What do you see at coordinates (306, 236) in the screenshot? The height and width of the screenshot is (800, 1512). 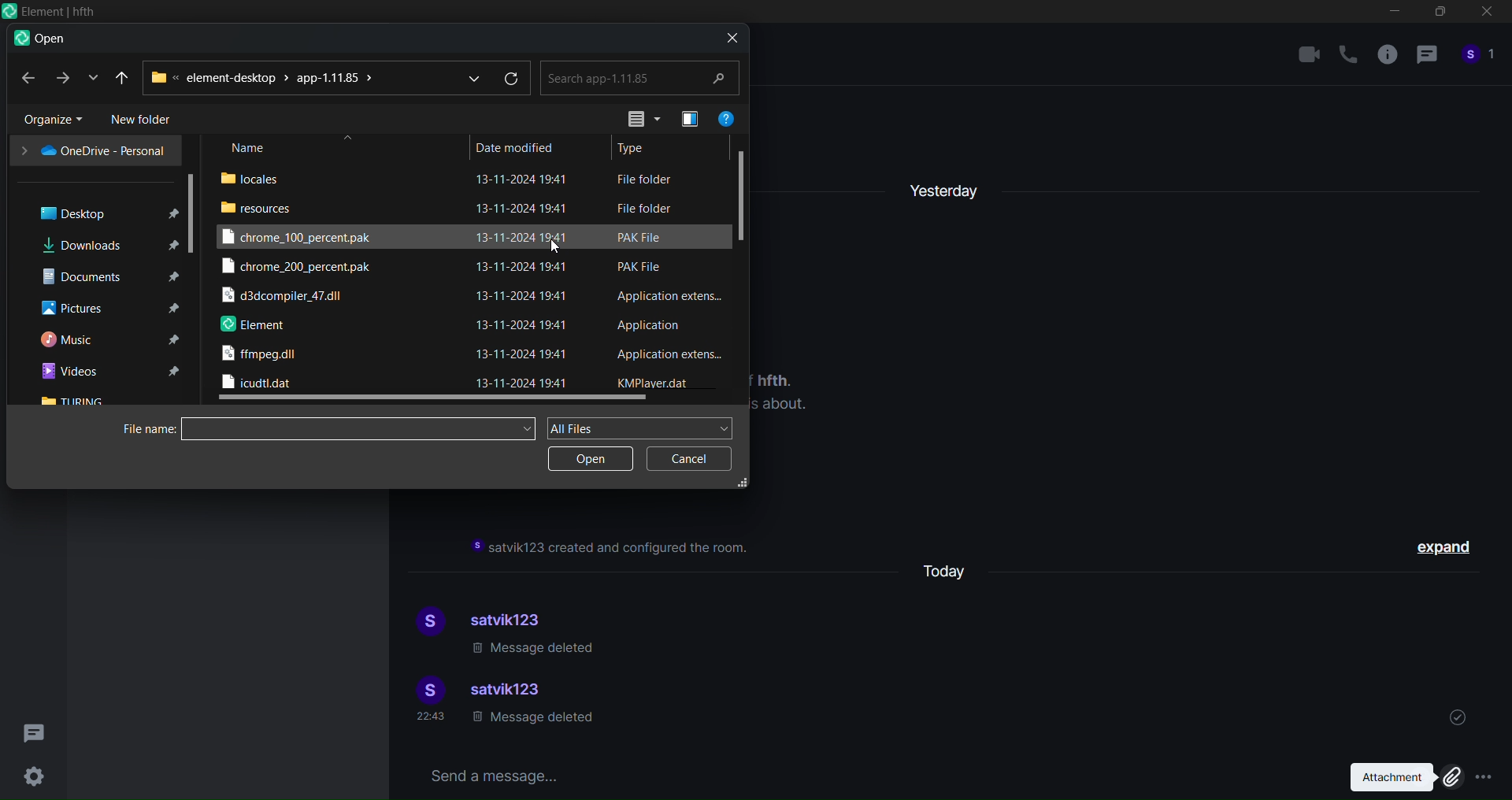 I see `chrome 100` at bounding box center [306, 236].